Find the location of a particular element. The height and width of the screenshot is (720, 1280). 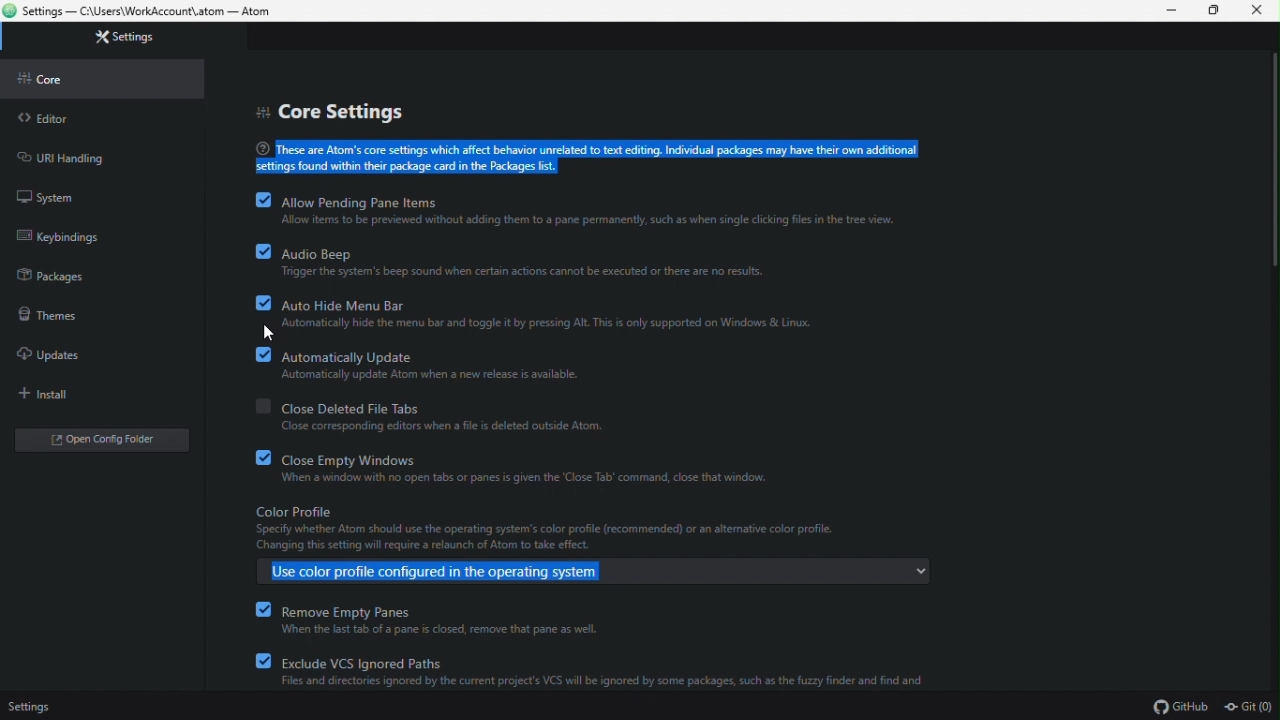

checkbox is located at coordinates (257, 459).